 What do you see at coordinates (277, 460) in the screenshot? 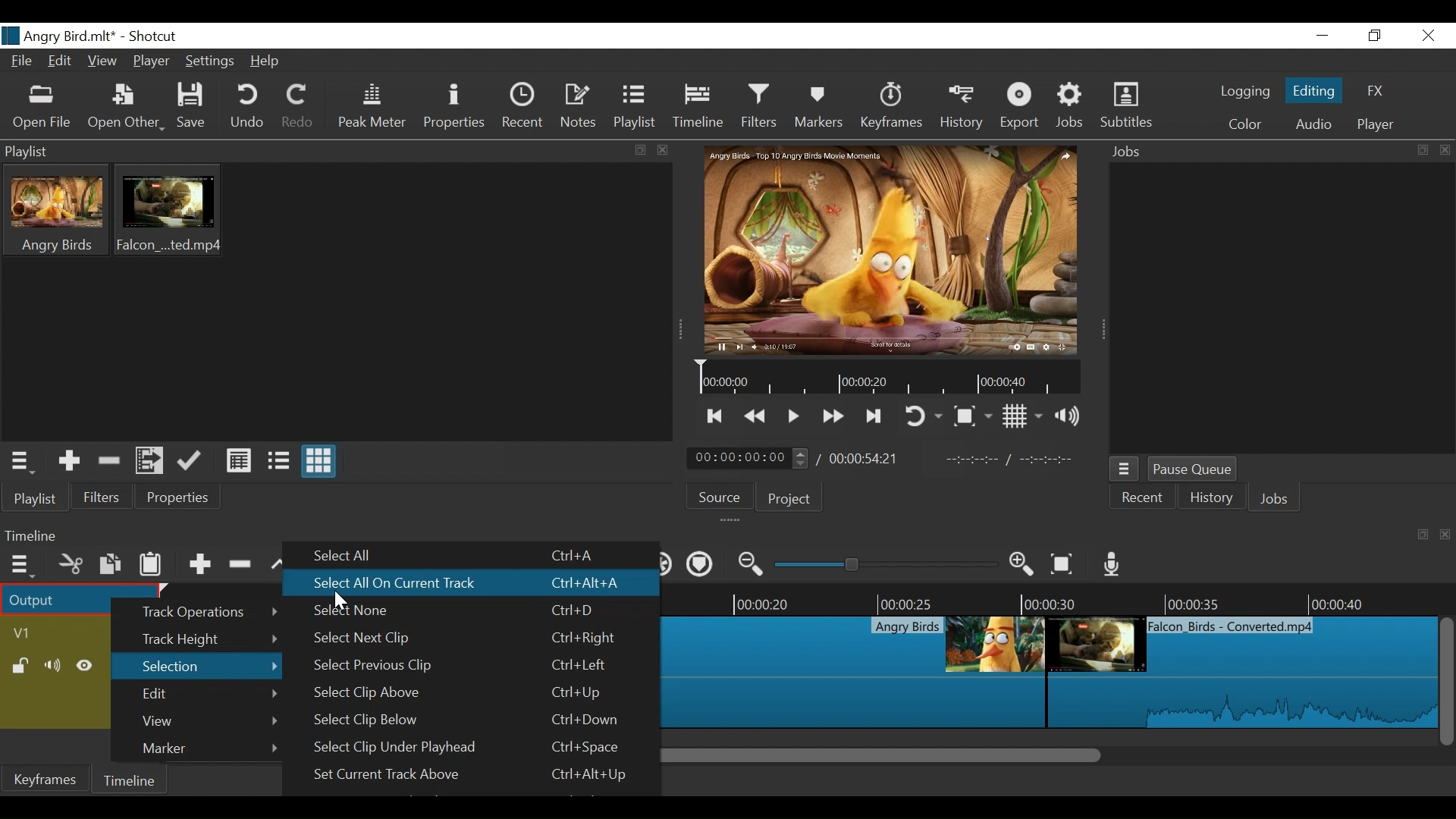
I see `View as files` at bounding box center [277, 460].